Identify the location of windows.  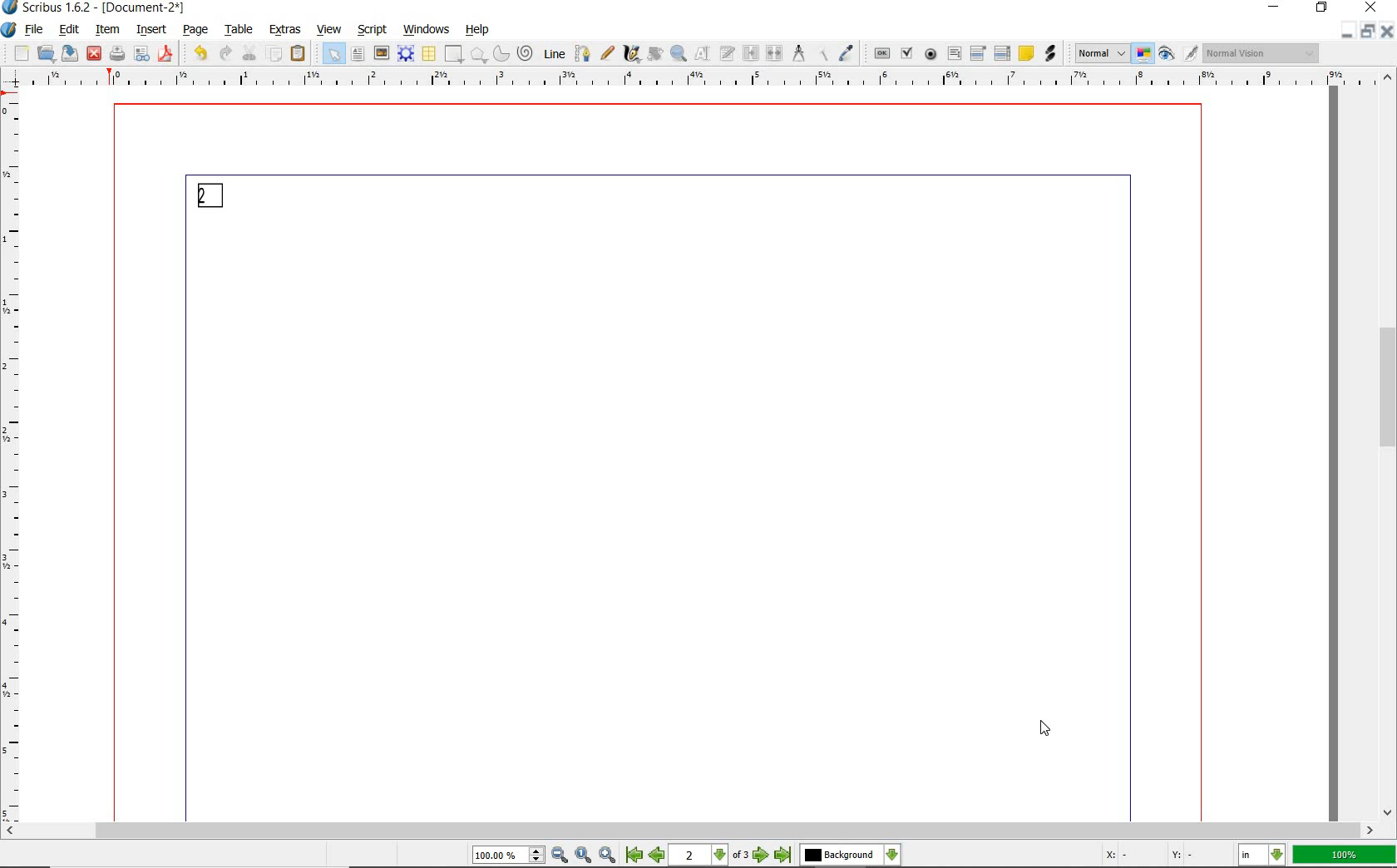
(427, 28).